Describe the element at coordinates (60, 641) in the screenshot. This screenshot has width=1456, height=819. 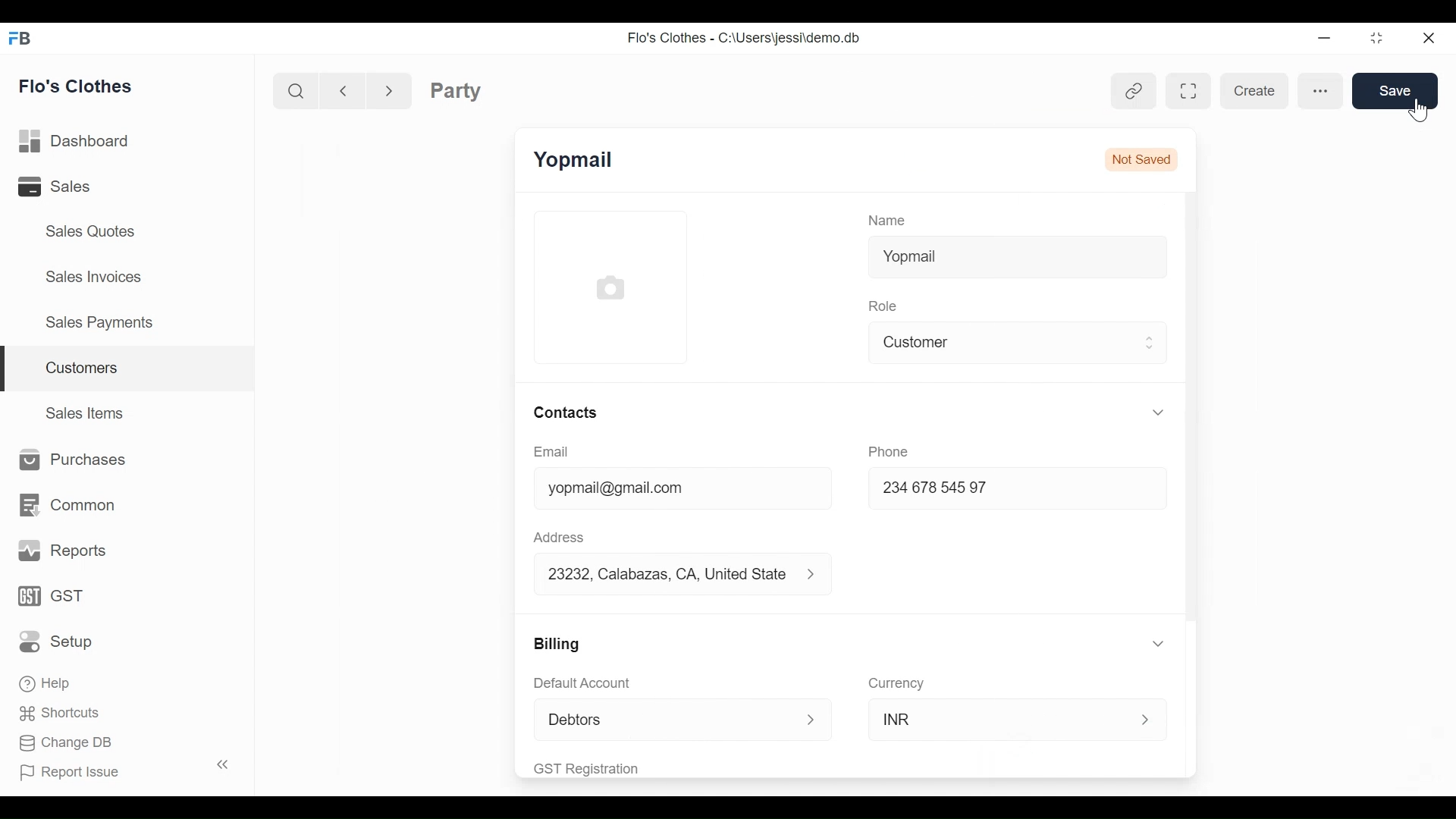
I see `Setup` at that location.